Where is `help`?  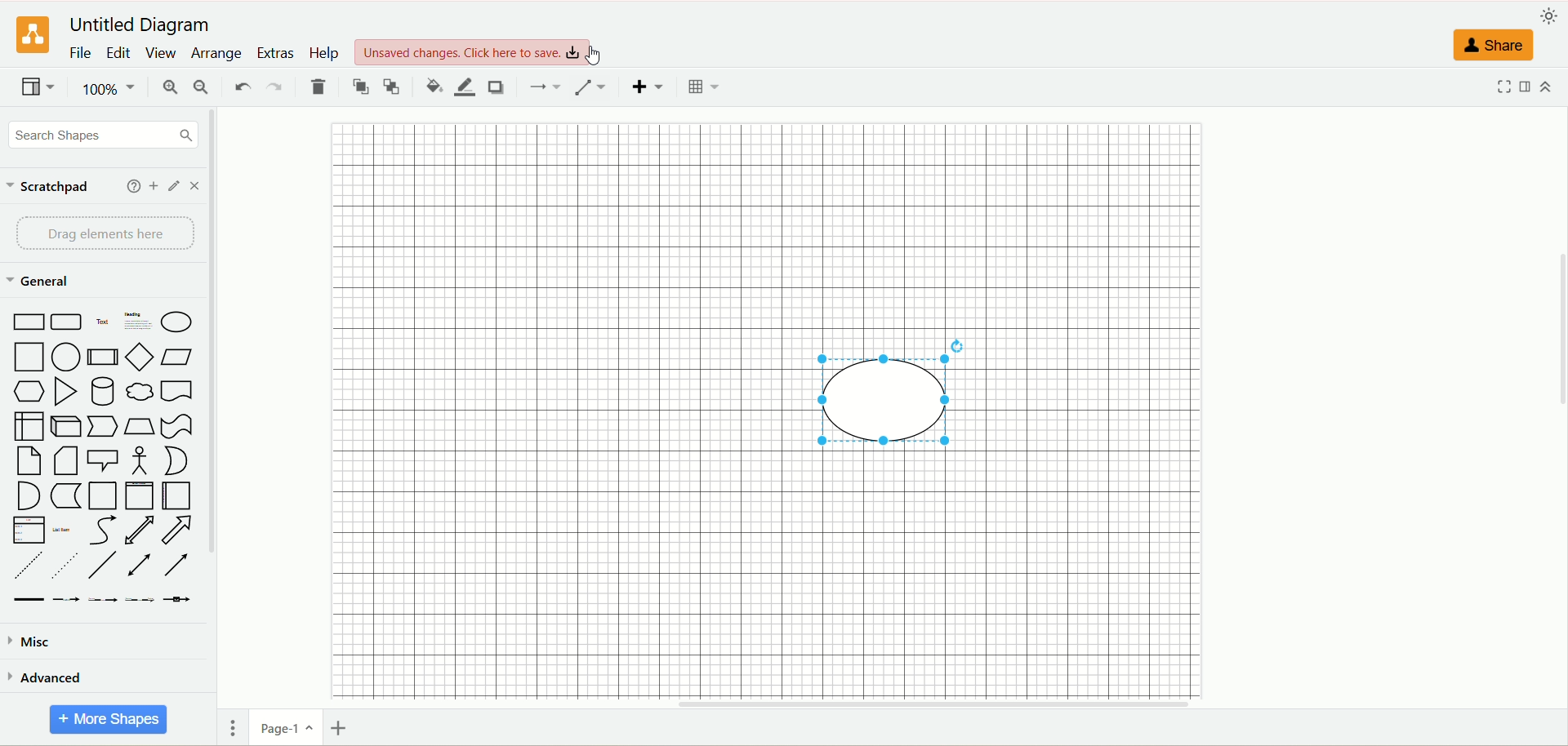
help is located at coordinates (130, 188).